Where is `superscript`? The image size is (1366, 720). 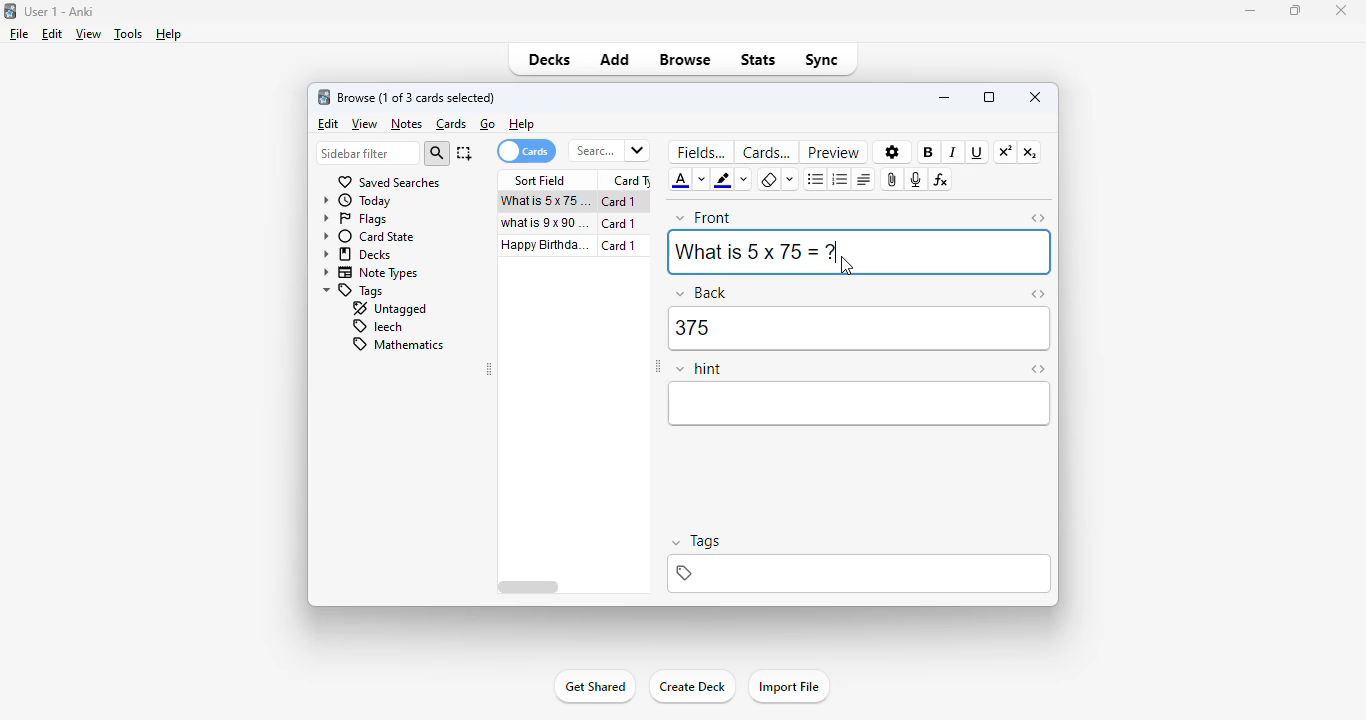 superscript is located at coordinates (1006, 152).